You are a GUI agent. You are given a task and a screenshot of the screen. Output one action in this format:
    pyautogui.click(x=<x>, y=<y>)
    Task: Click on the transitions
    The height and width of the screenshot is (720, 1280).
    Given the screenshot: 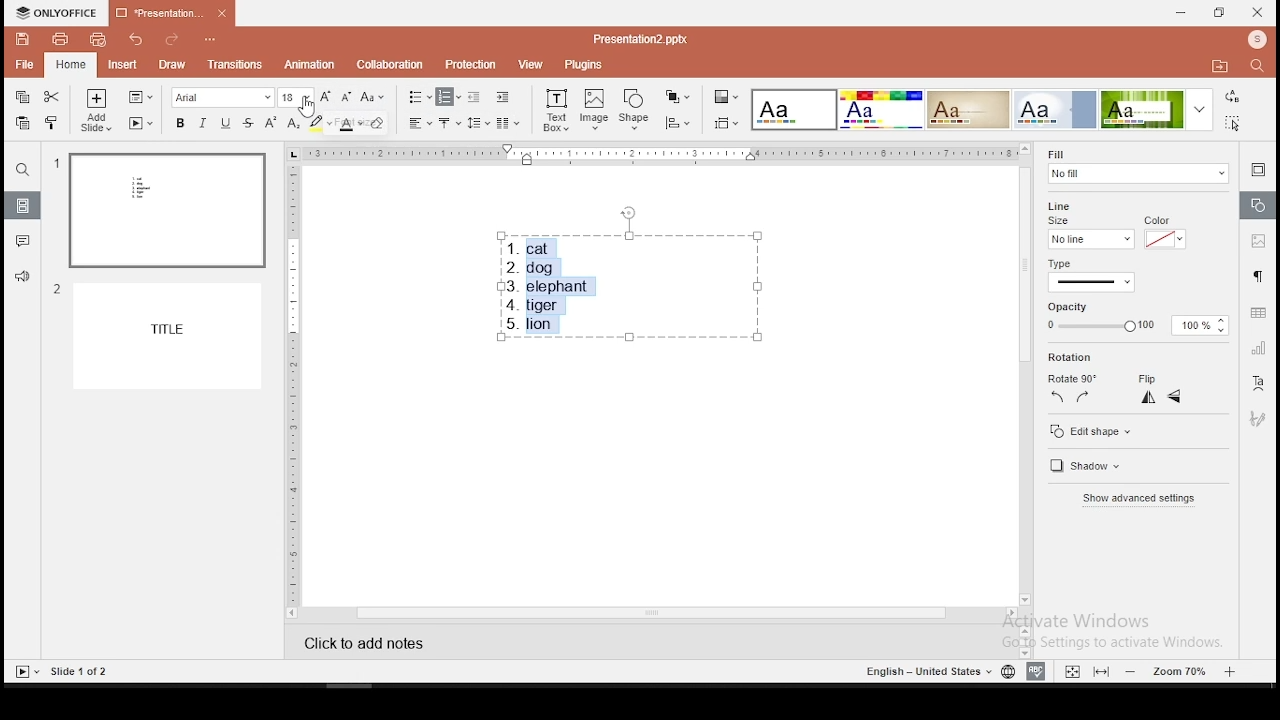 What is the action you would take?
    pyautogui.click(x=236, y=67)
    